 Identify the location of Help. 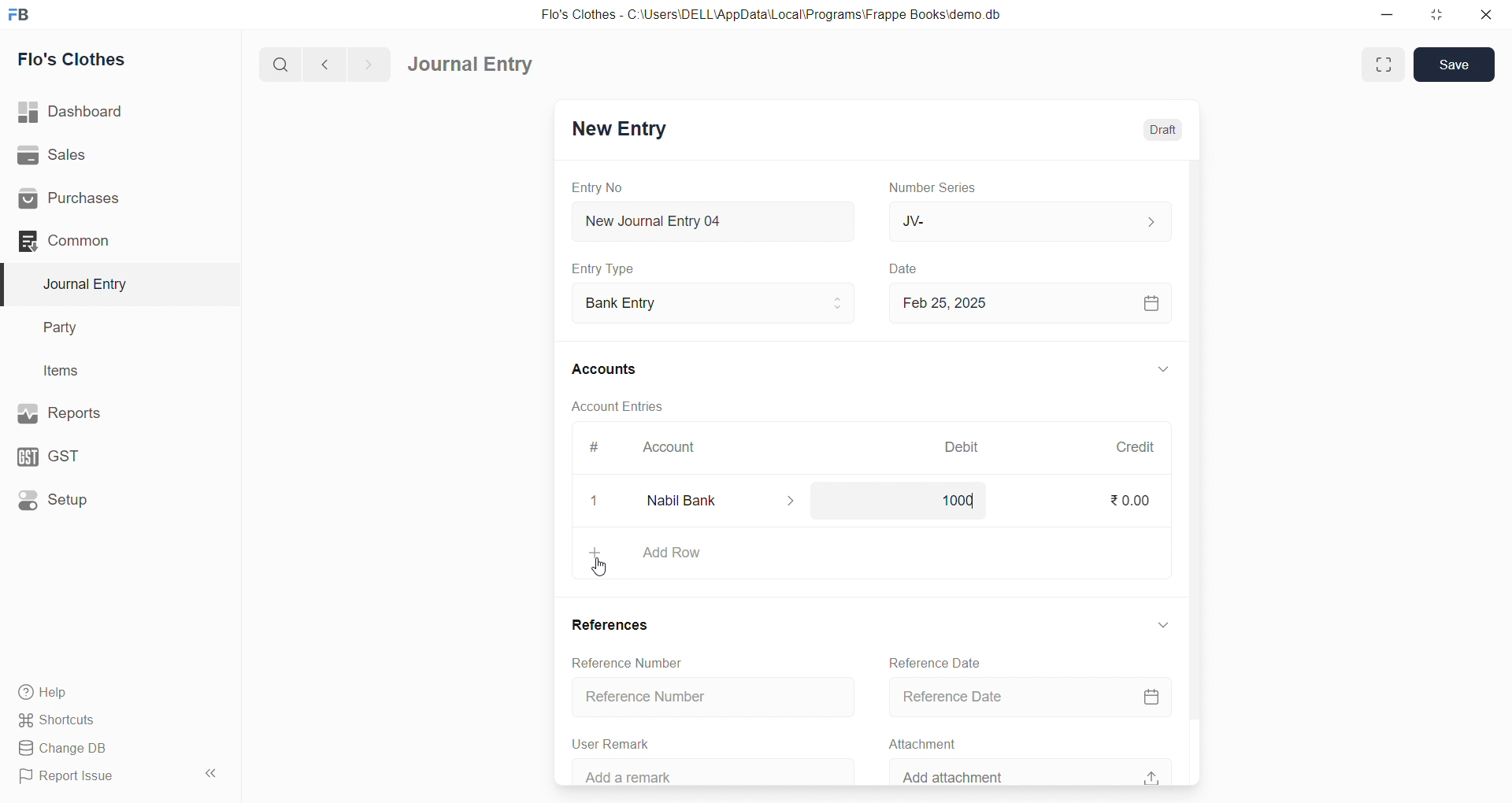
(114, 691).